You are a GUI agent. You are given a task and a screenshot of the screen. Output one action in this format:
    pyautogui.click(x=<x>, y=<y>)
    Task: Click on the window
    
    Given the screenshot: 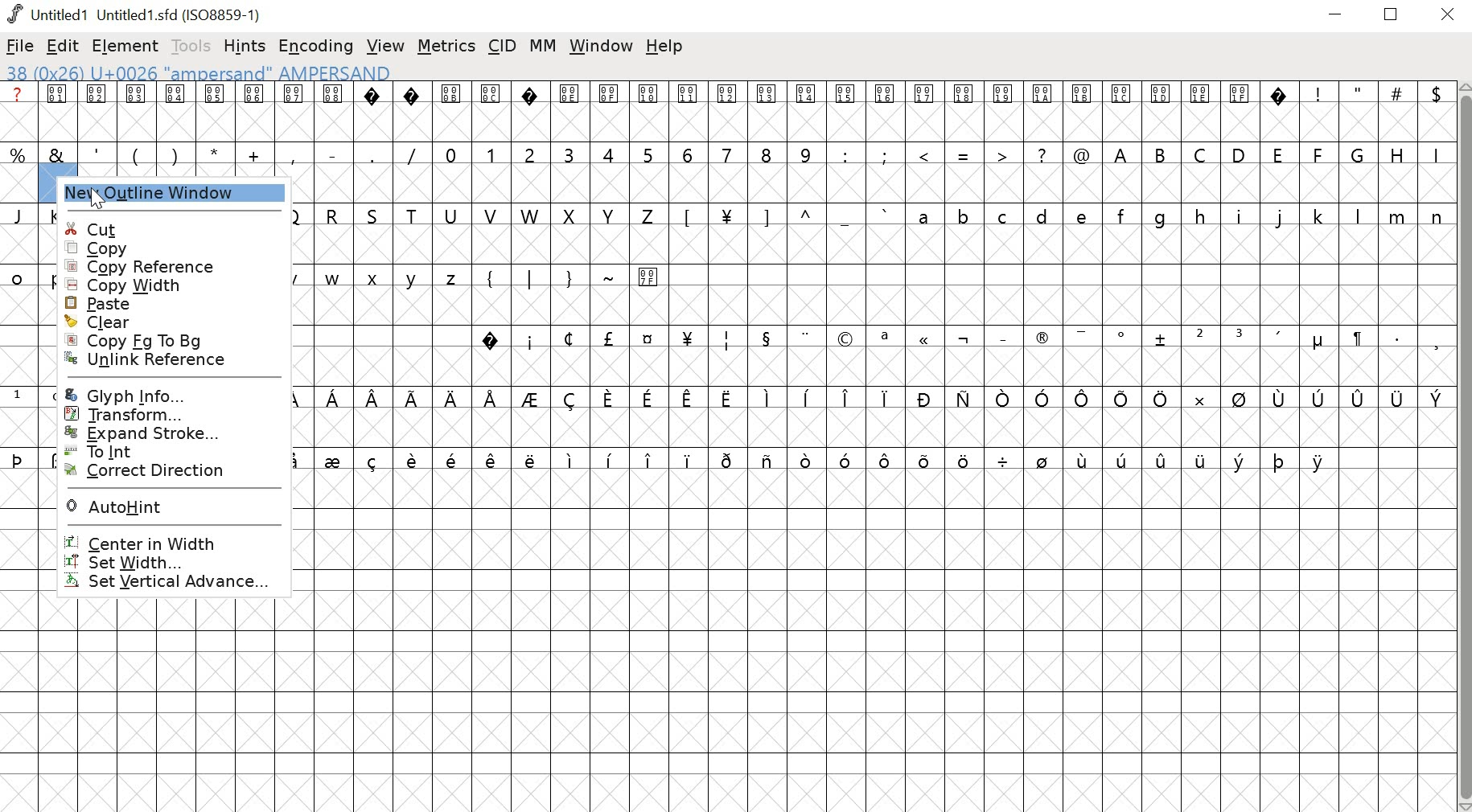 What is the action you would take?
    pyautogui.click(x=600, y=47)
    